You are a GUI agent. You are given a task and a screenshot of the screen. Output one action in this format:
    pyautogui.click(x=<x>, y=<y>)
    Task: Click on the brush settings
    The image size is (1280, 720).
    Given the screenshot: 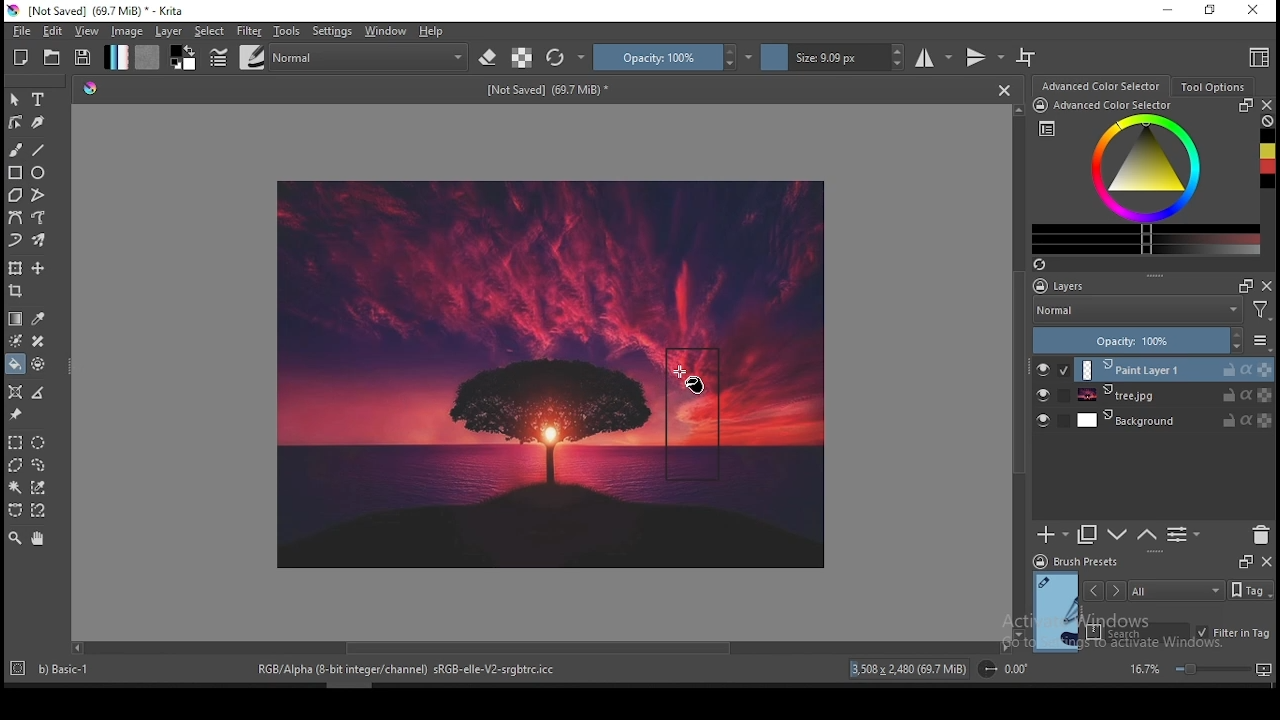 What is the action you would take?
    pyautogui.click(x=217, y=56)
    